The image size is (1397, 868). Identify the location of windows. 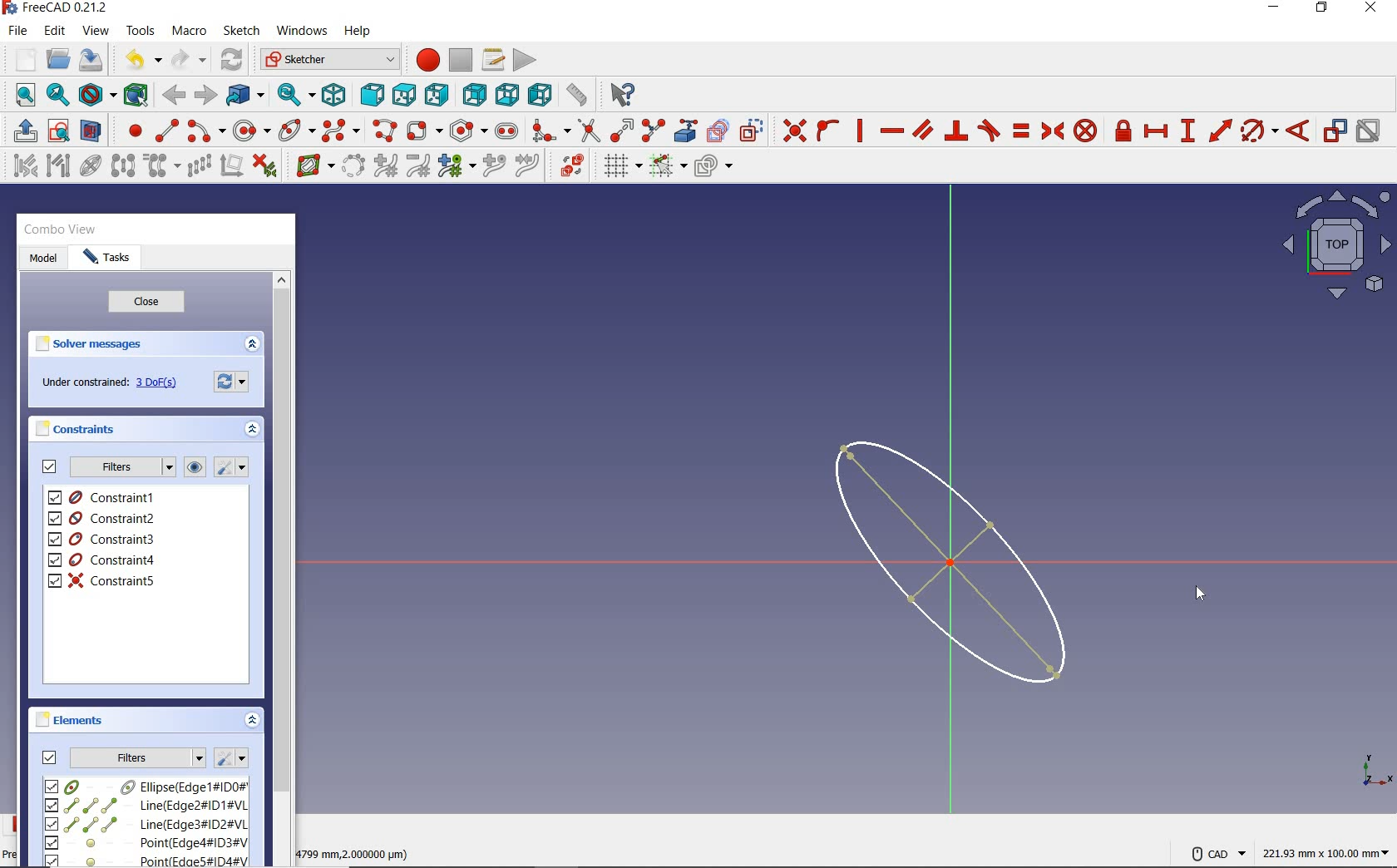
(300, 32).